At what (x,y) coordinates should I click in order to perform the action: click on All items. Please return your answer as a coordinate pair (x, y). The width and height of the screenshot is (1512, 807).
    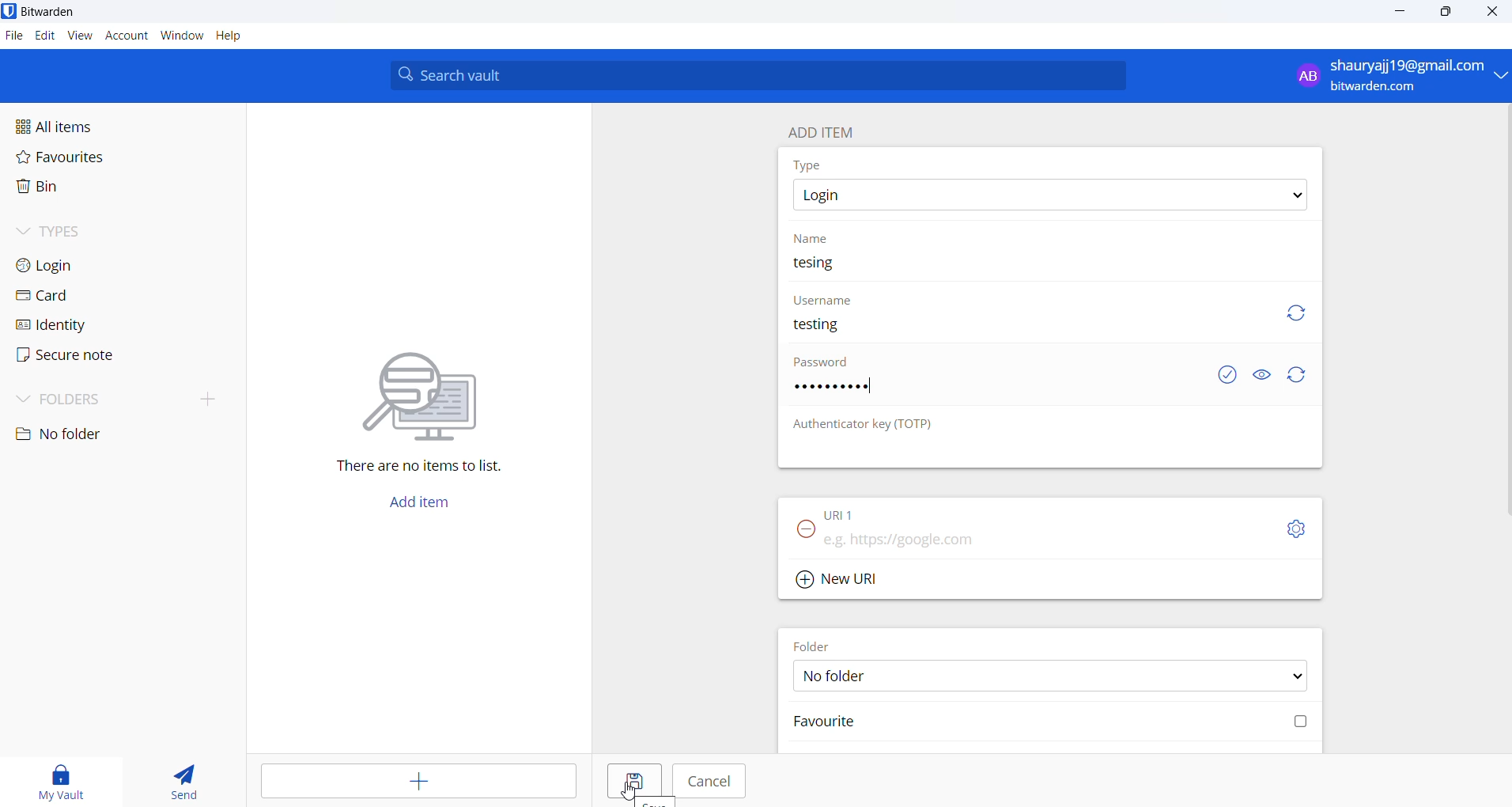
    Looking at the image, I should click on (90, 125).